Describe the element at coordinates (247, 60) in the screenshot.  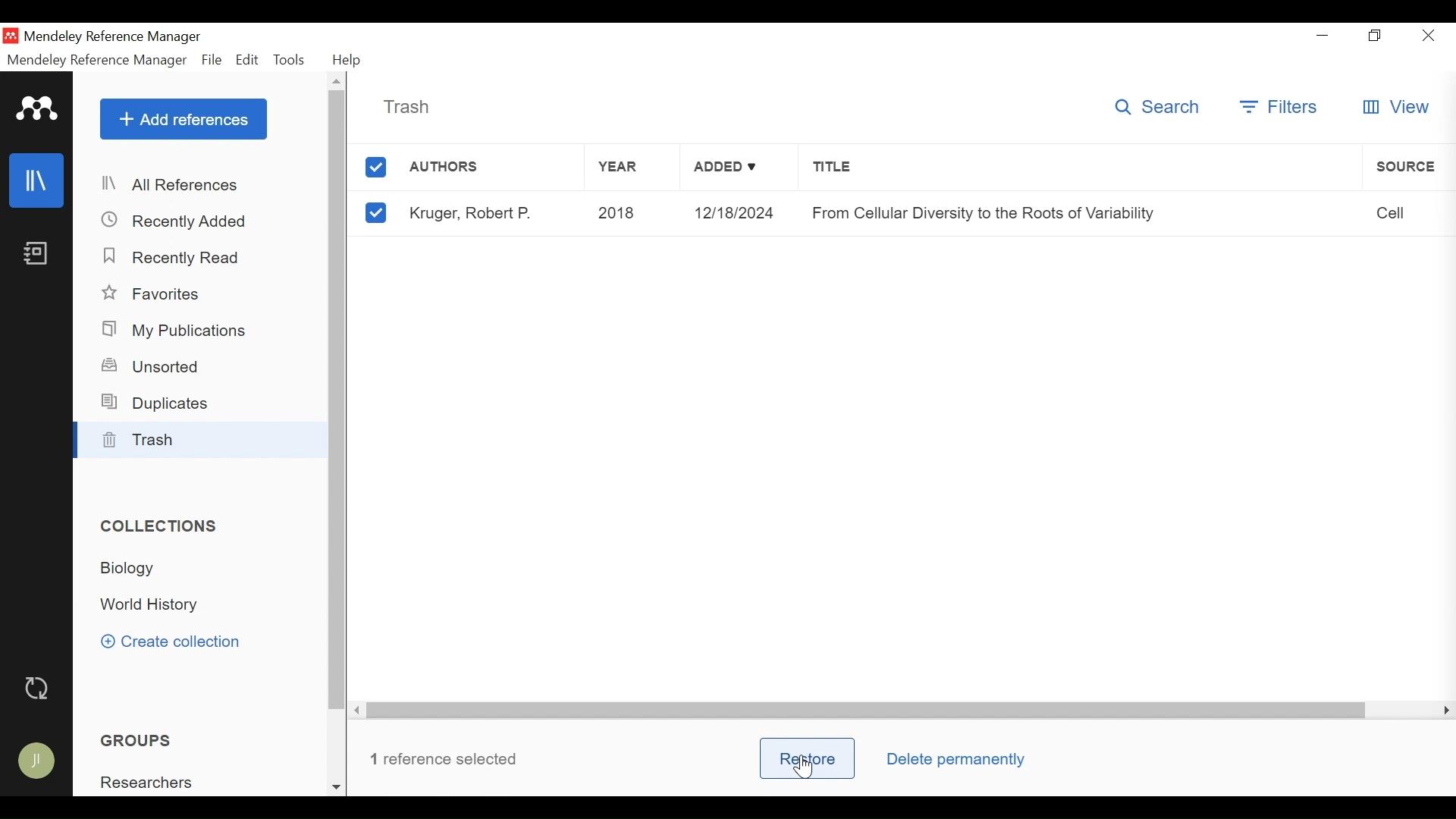
I see `Edit` at that location.